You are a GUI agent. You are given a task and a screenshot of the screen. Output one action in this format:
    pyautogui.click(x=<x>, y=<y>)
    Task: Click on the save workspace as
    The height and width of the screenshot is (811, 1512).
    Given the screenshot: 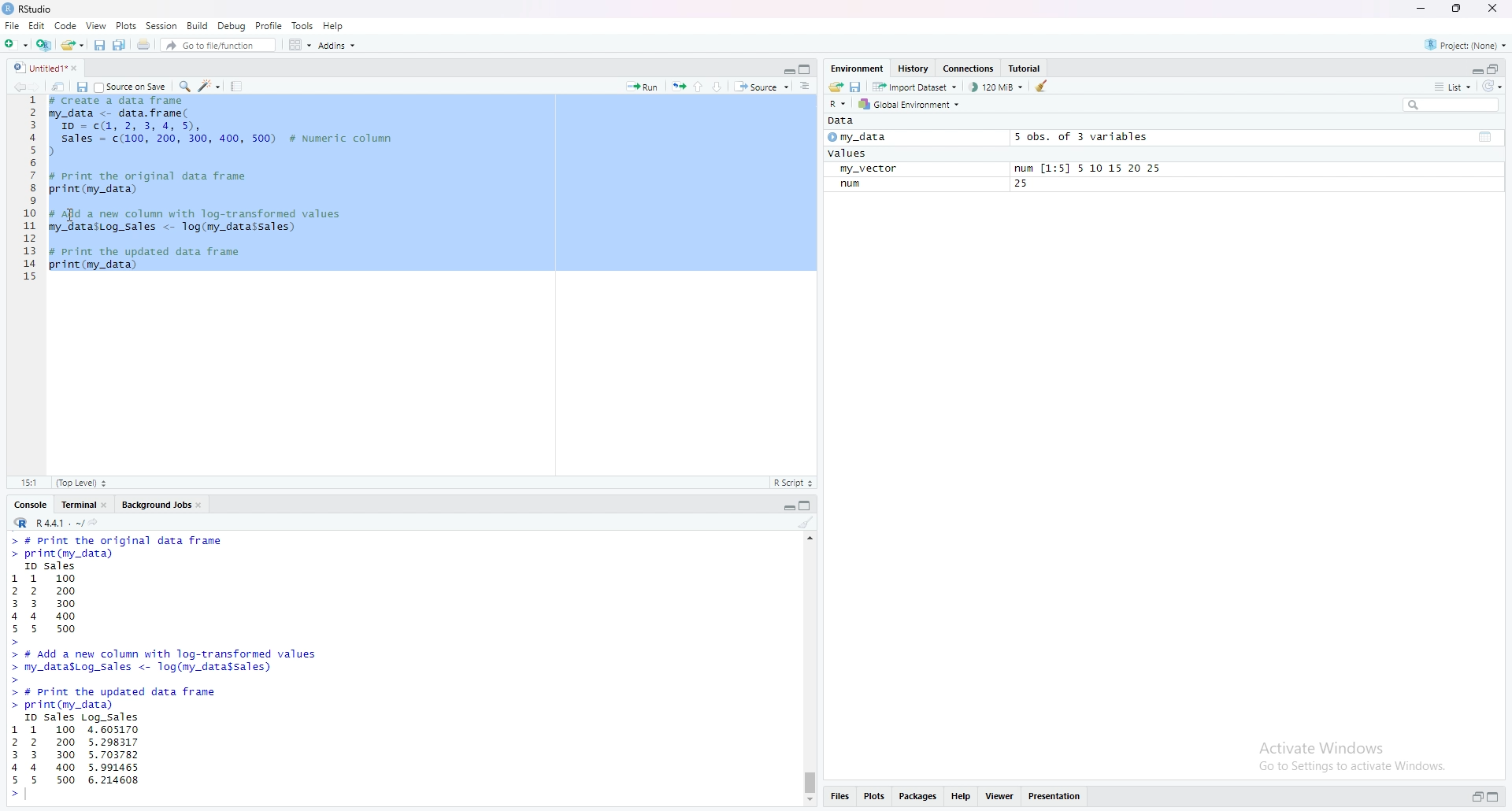 What is the action you would take?
    pyautogui.click(x=855, y=87)
    